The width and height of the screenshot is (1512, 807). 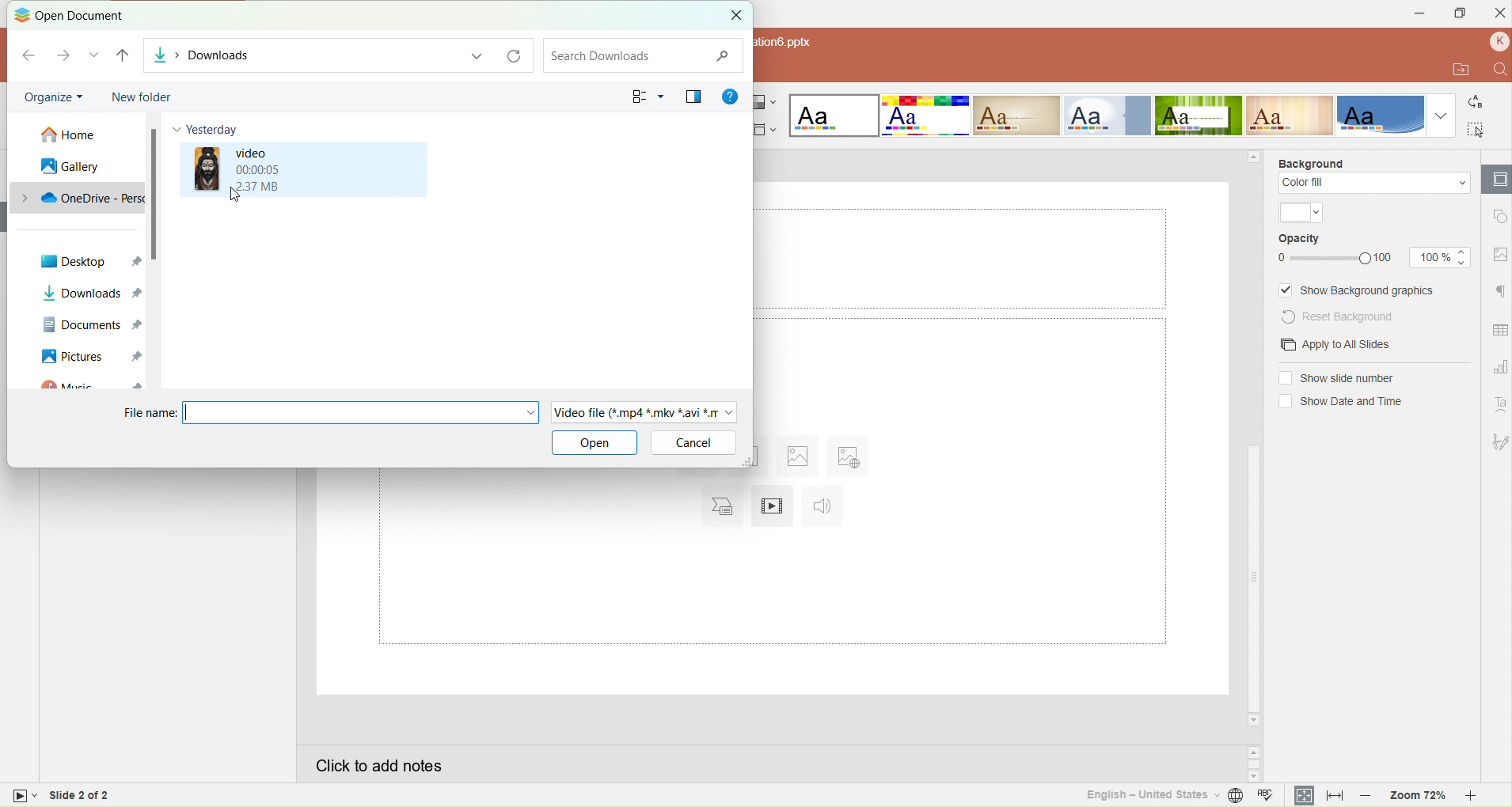 I want to click on Horizontal scrollbar, so click(x=1252, y=438).